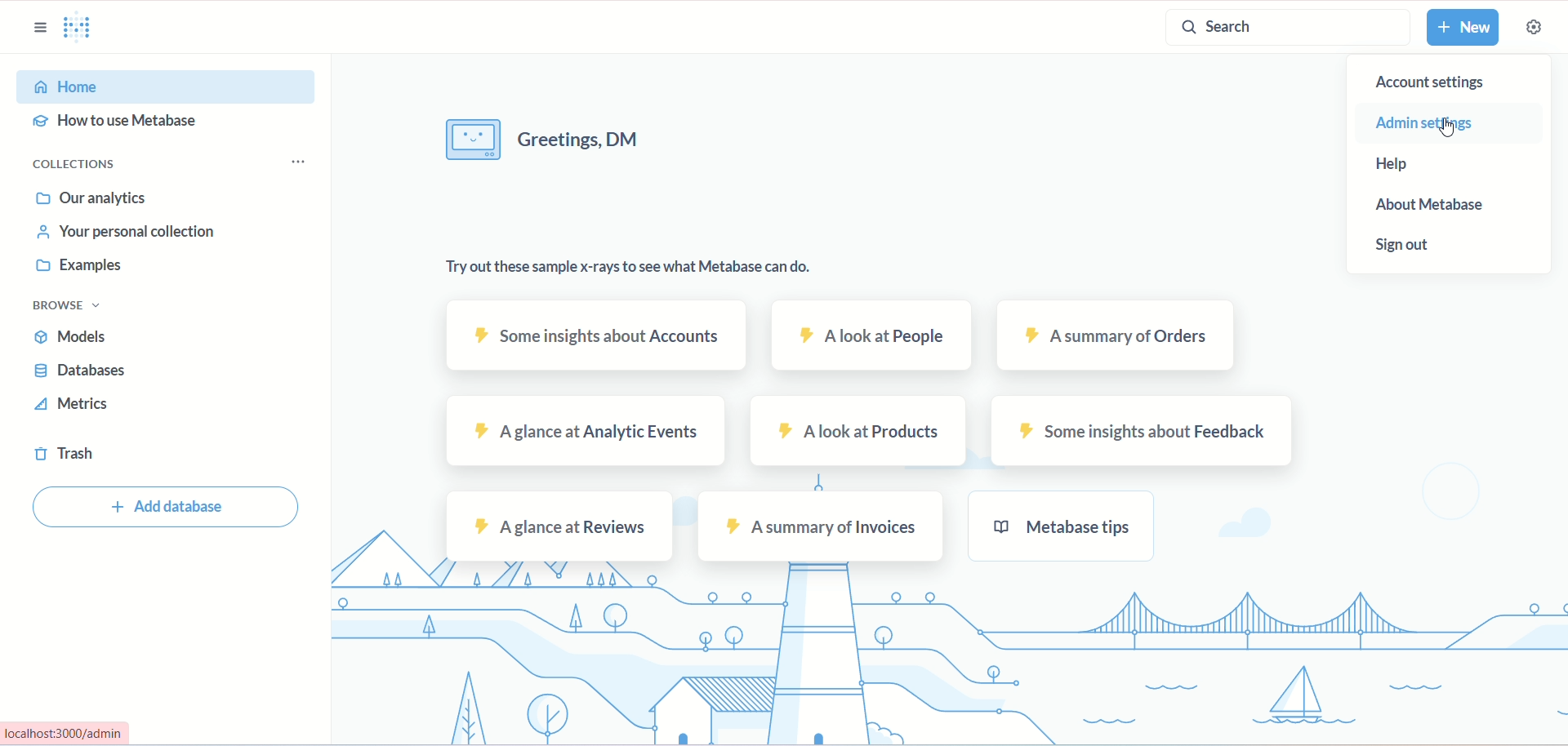 This screenshot has width=1568, height=746. Describe the element at coordinates (595, 334) in the screenshot. I see `accounts` at that location.